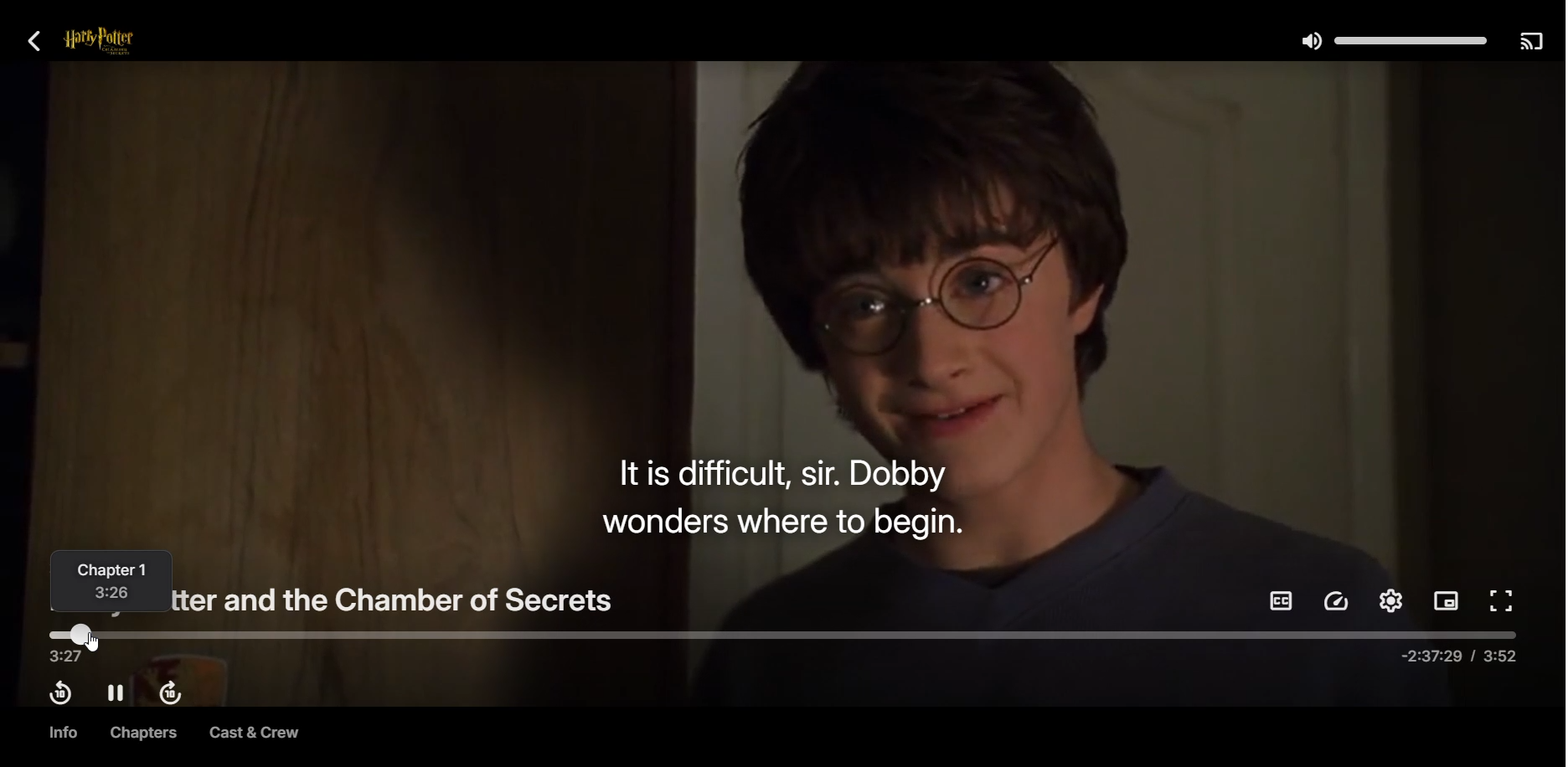  What do you see at coordinates (174, 695) in the screenshot?
I see `Fast-forward` at bounding box center [174, 695].